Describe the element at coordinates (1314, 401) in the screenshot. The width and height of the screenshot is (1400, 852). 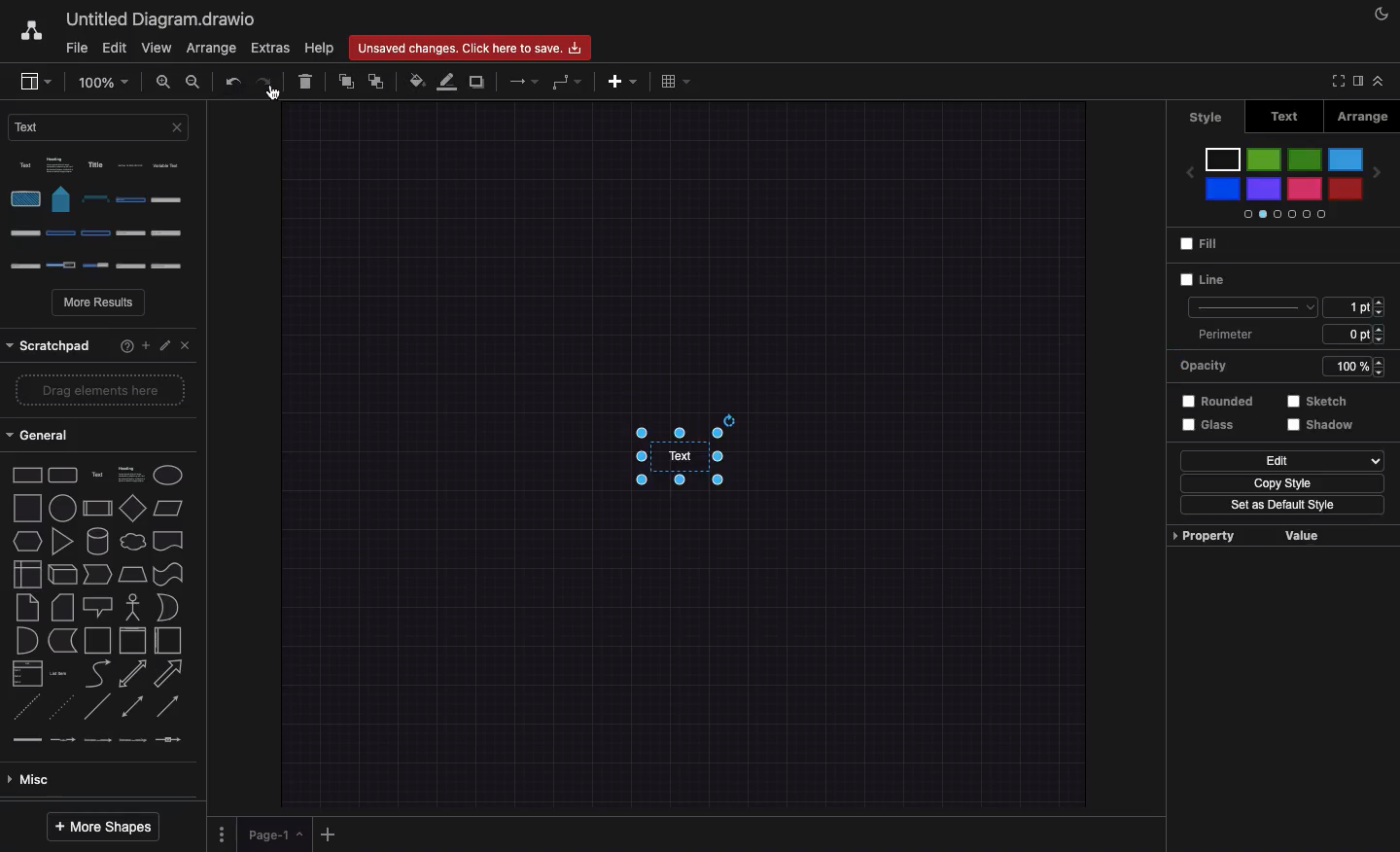
I see `Skecth` at that location.